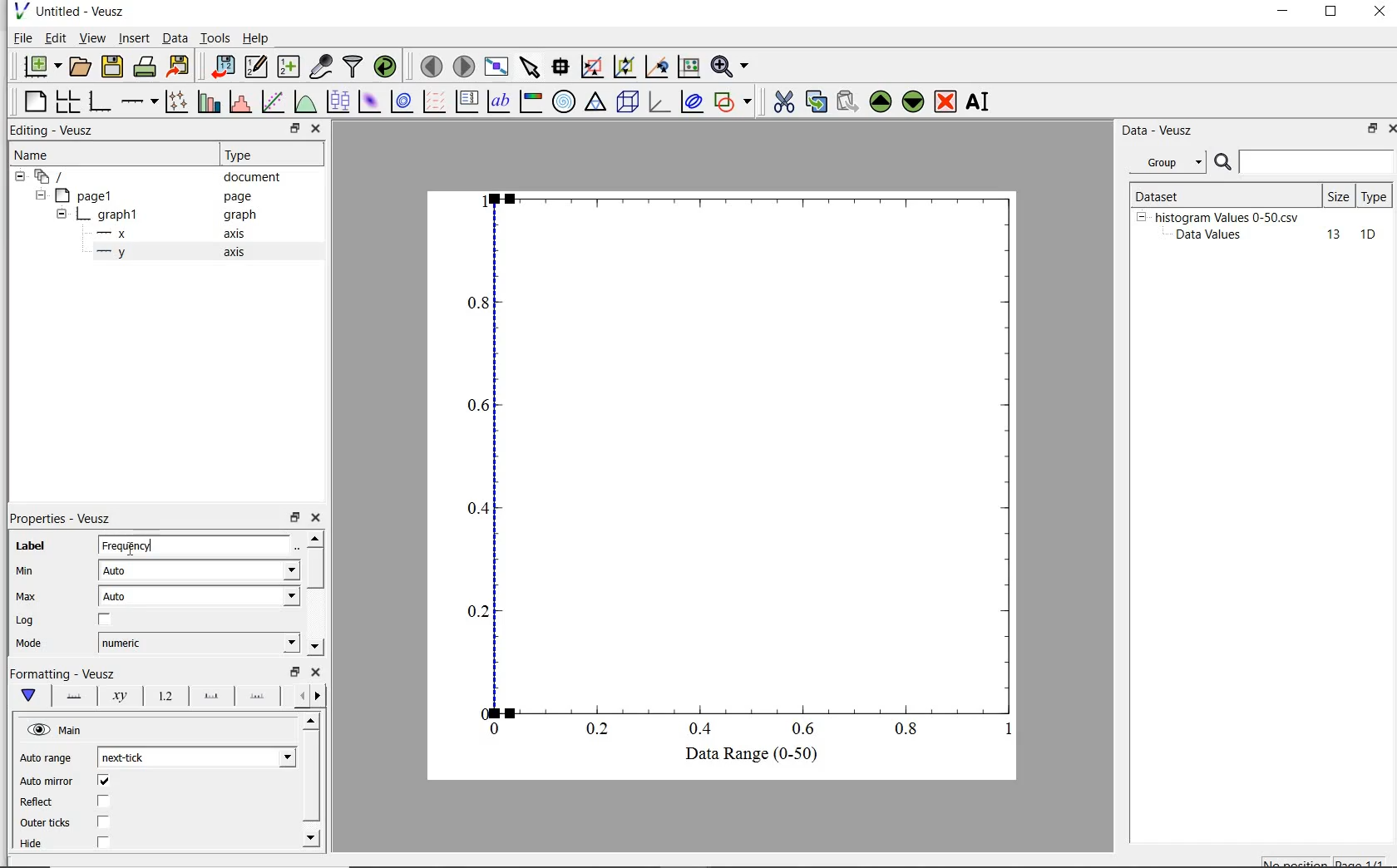 The image size is (1397, 868). I want to click on help, so click(259, 38).